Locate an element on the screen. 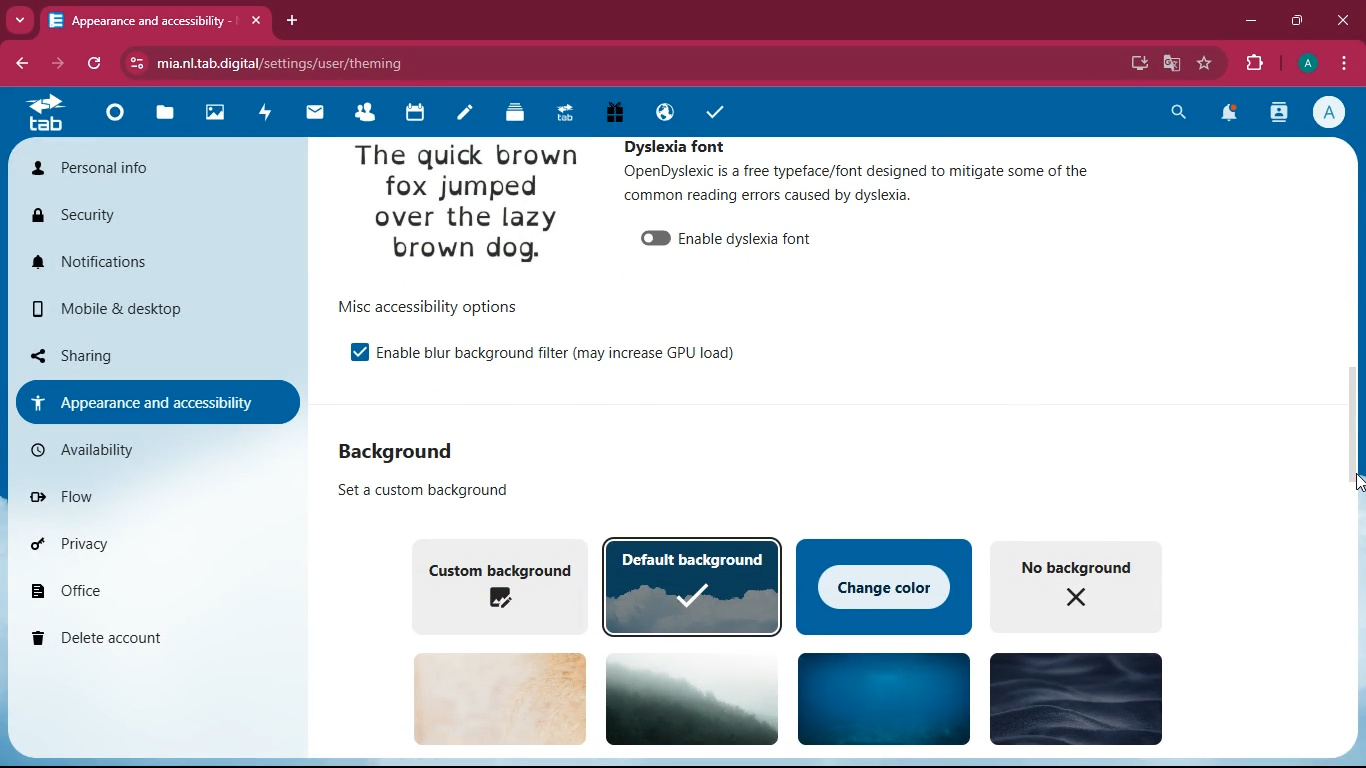 This screenshot has width=1366, height=768. notes is located at coordinates (461, 115).